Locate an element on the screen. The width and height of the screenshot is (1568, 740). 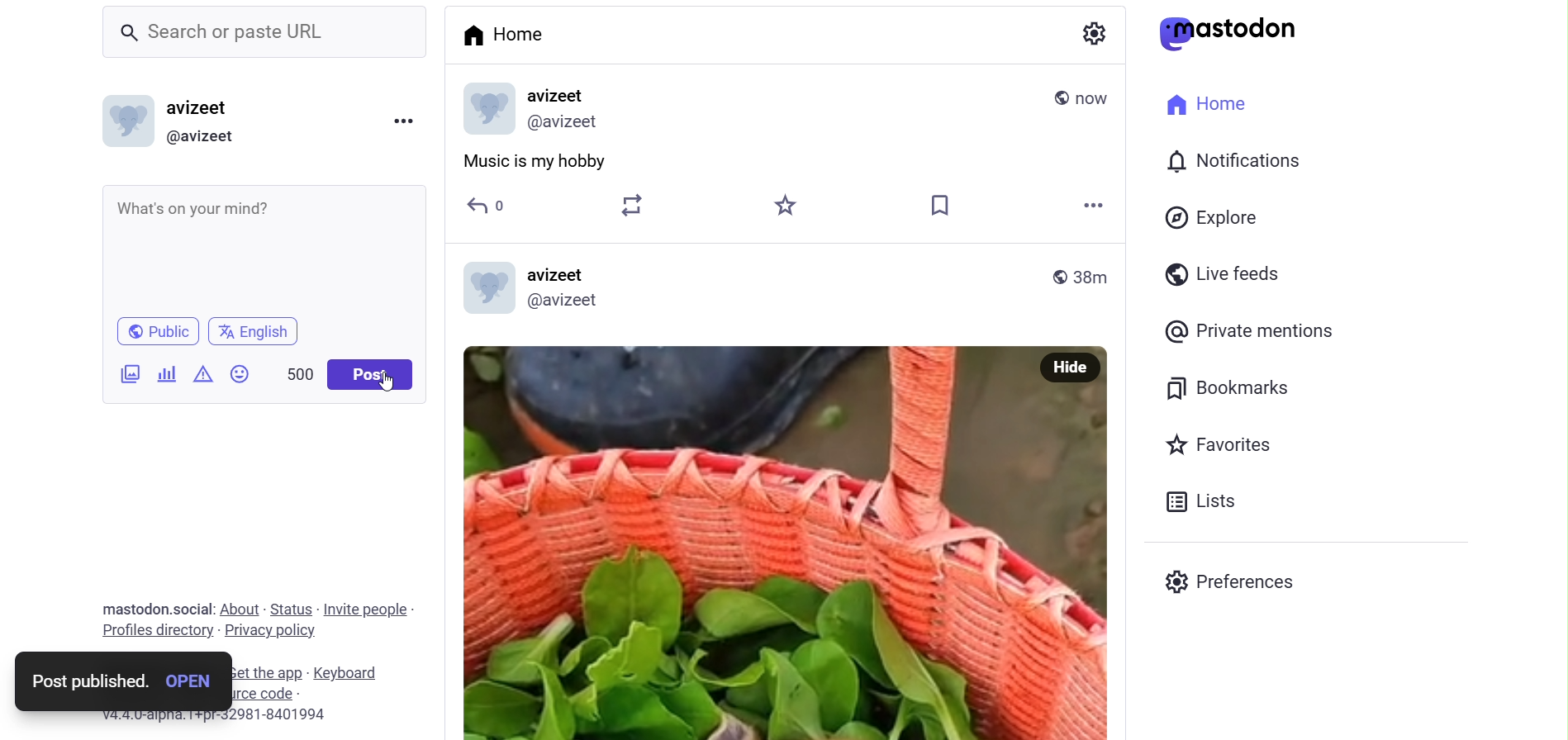
Invite People is located at coordinates (368, 610).